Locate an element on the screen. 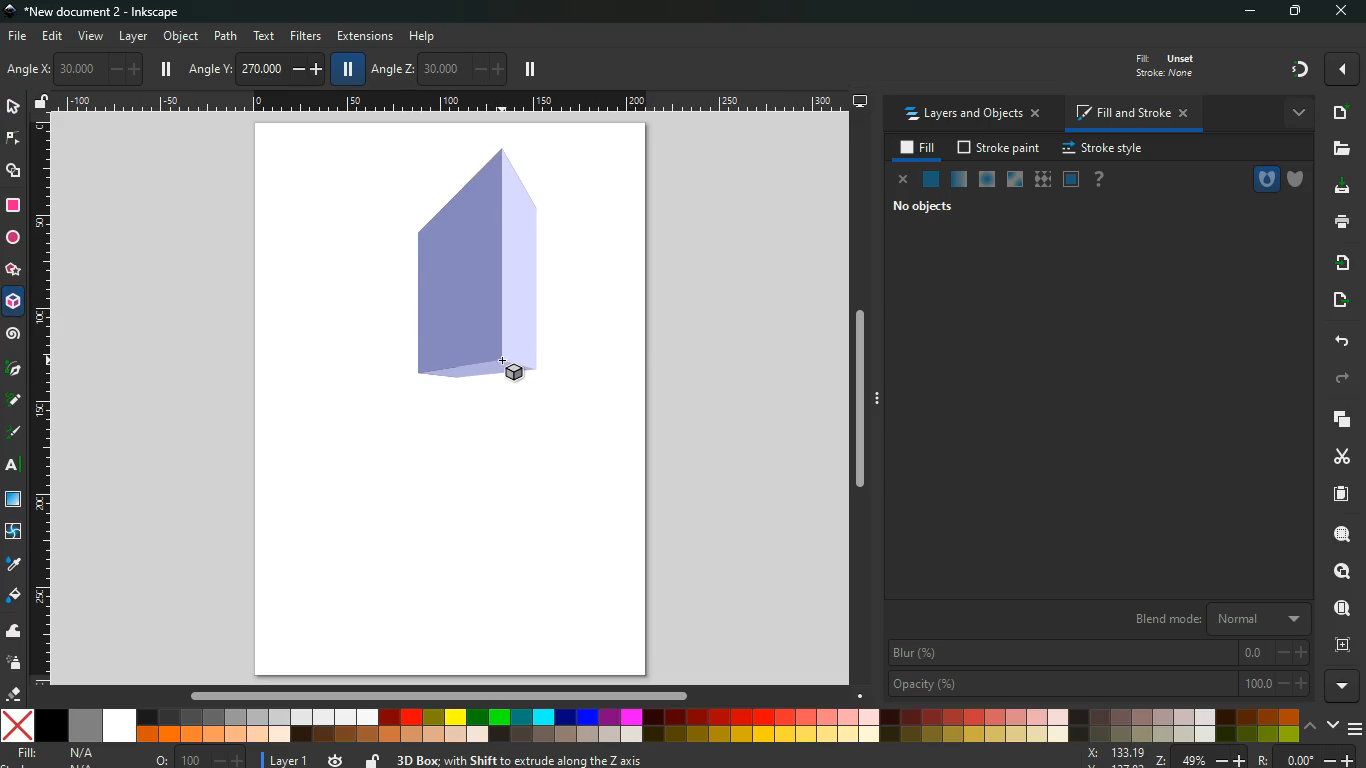  shield is located at coordinates (1299, 180).